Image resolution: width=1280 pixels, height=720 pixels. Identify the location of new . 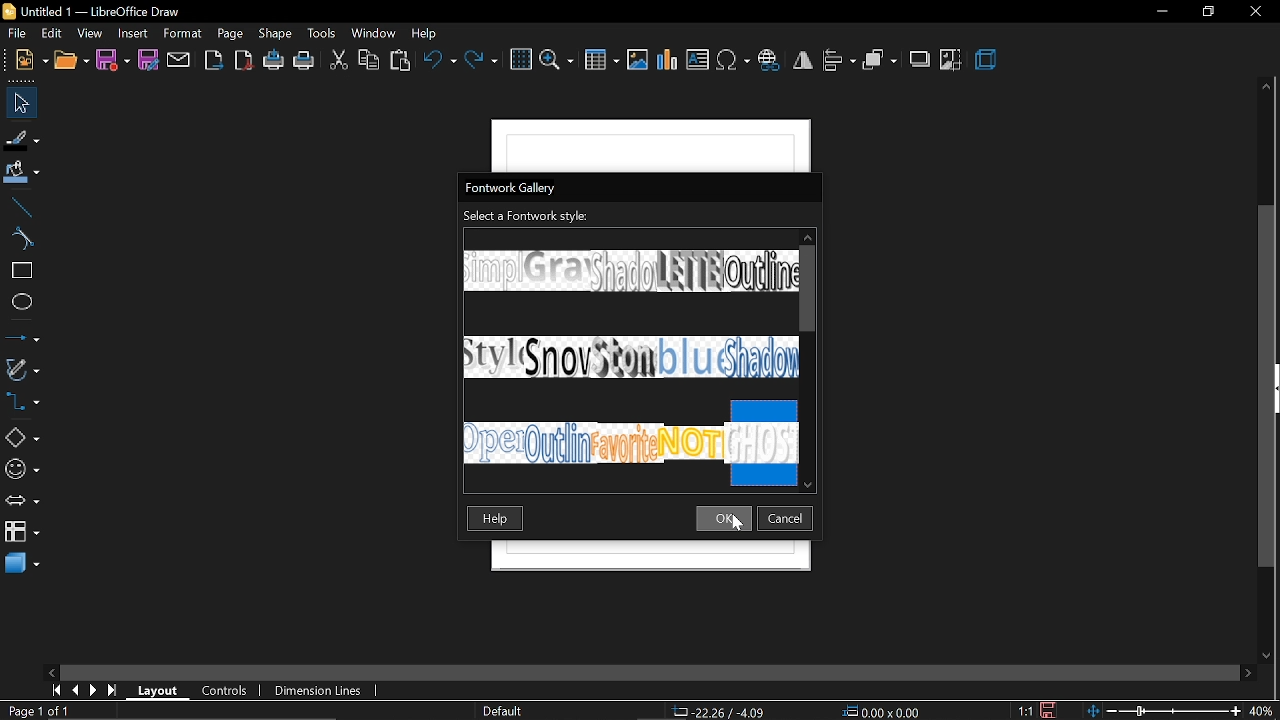
(30, 59).